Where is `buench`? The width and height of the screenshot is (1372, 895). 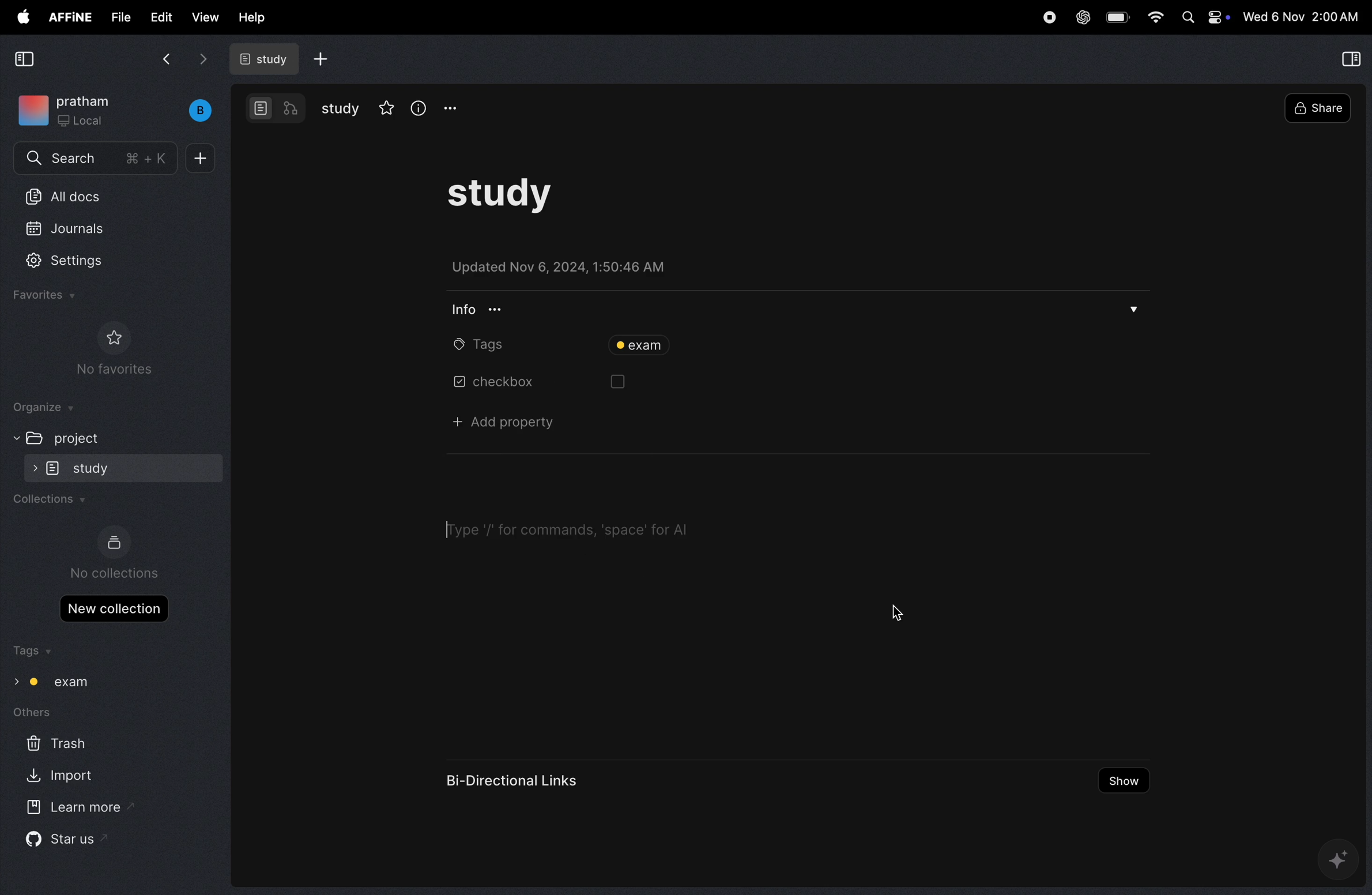
buench is located at coordinates (200, 110).